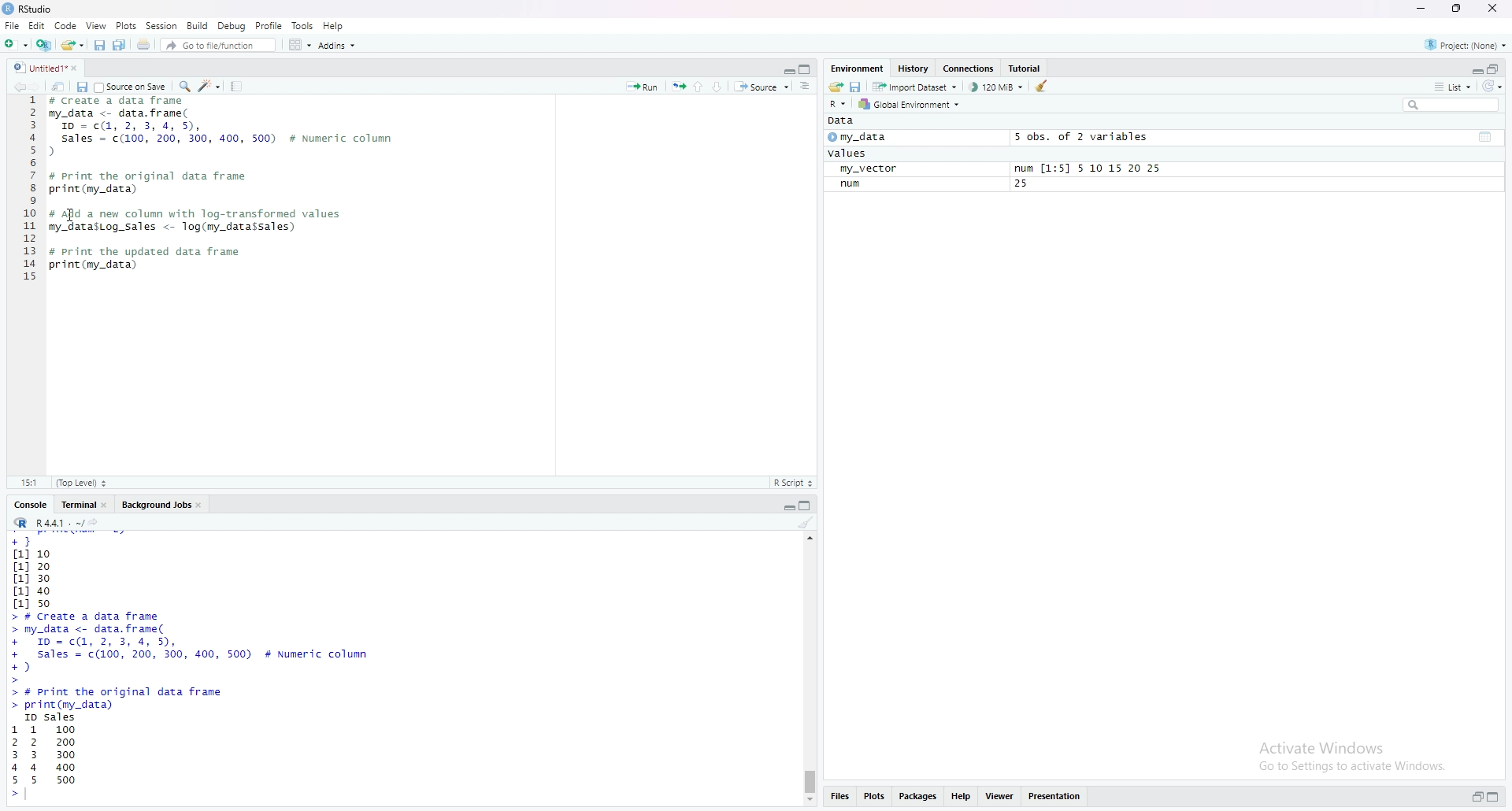 The width and height of the screenshot is (1512, 811). What do you see at coordinates (805, 69) in the screenshot?
I see `maximize` at bounding box center [805, 69].